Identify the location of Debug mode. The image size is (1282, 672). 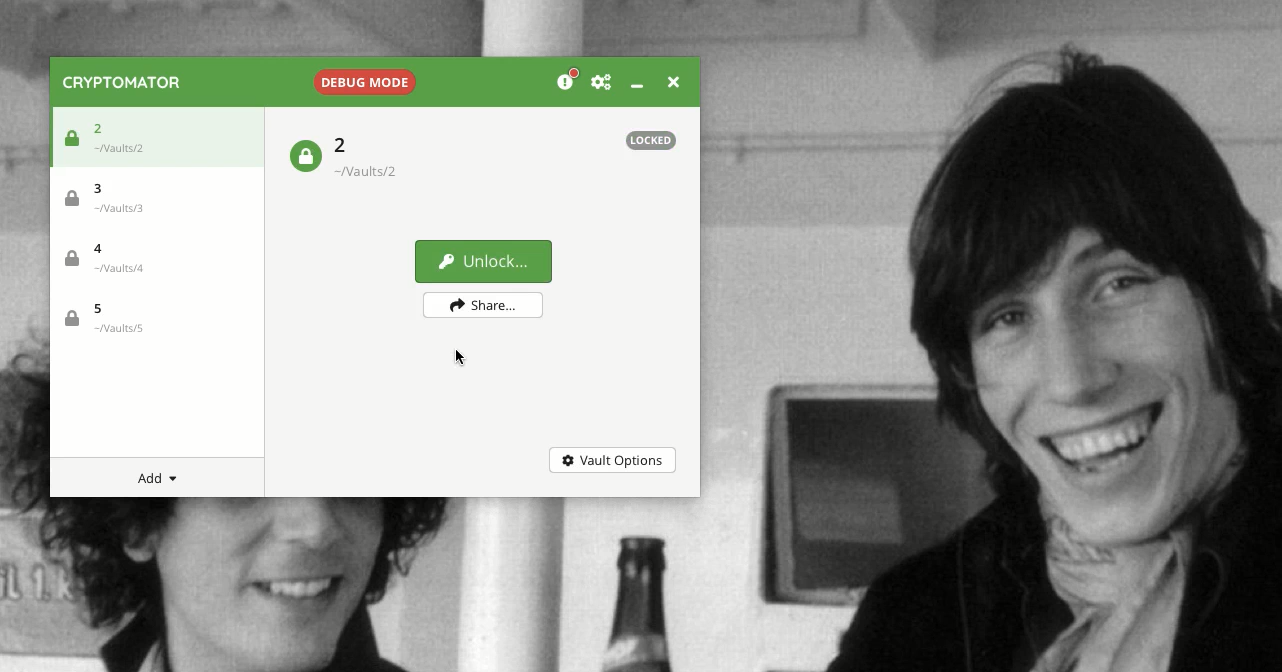
(362, 81).